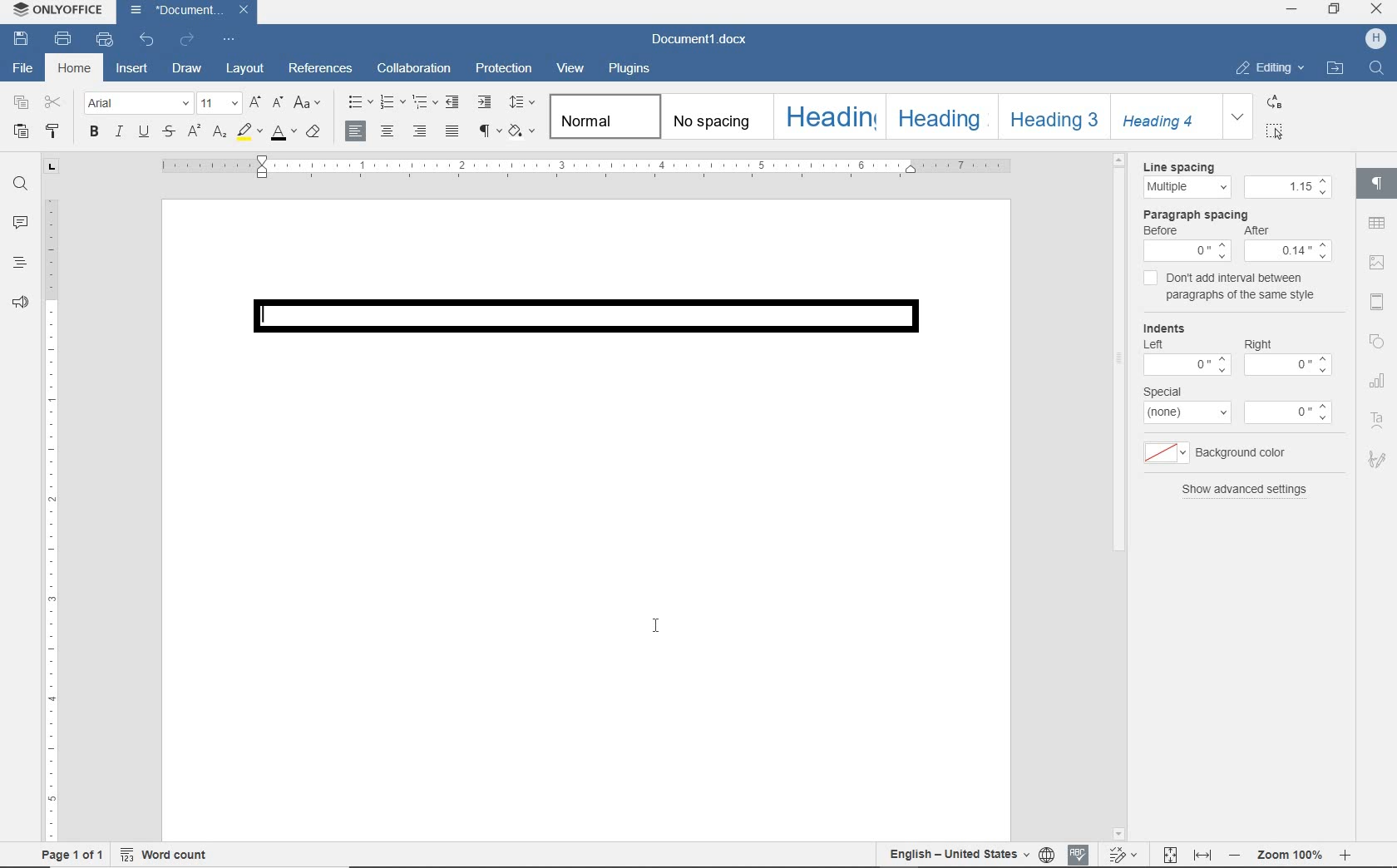  I want to click on multilevel list, so click(423, 103).